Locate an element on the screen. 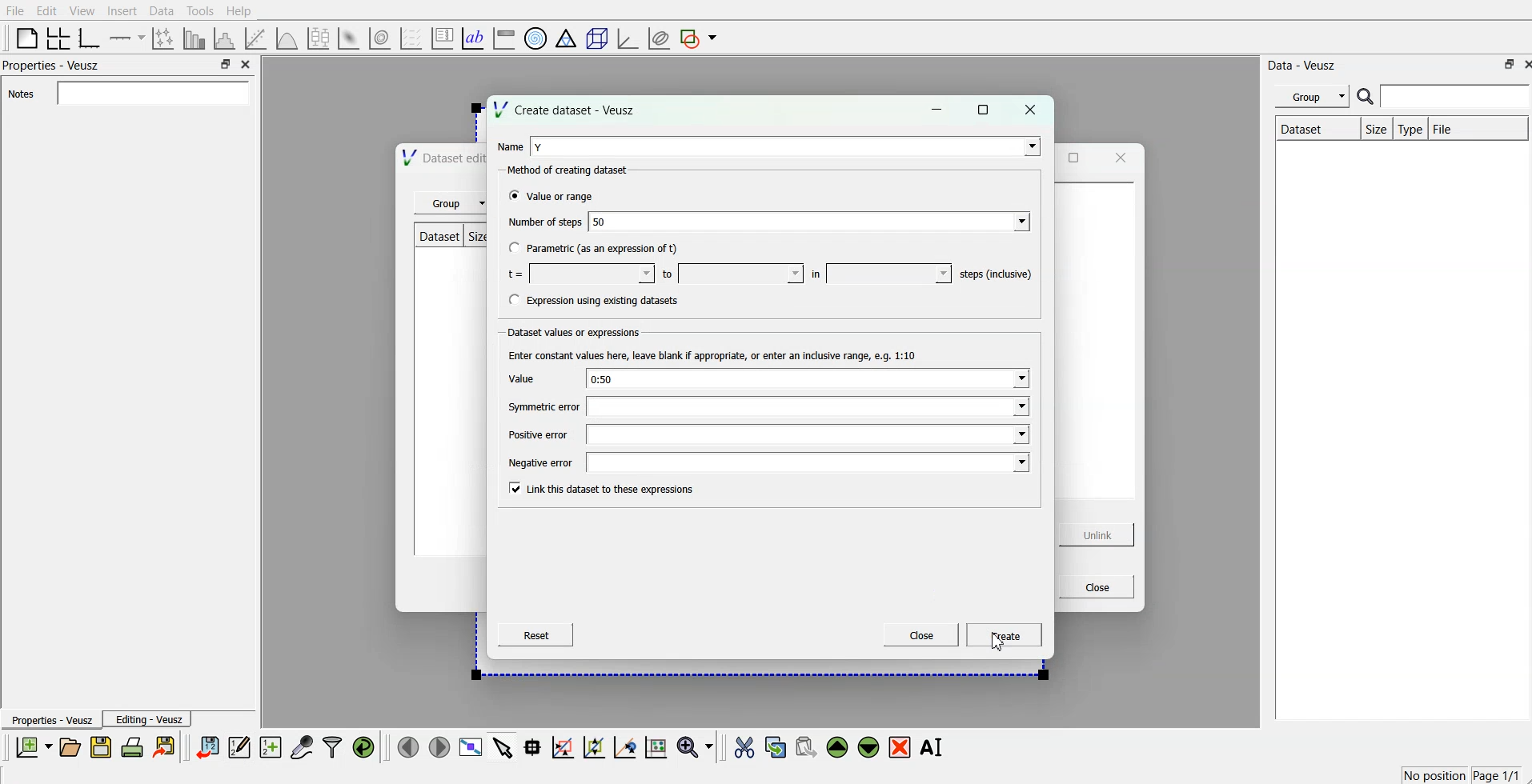  3d scenes is located at coordinates (595, 35).